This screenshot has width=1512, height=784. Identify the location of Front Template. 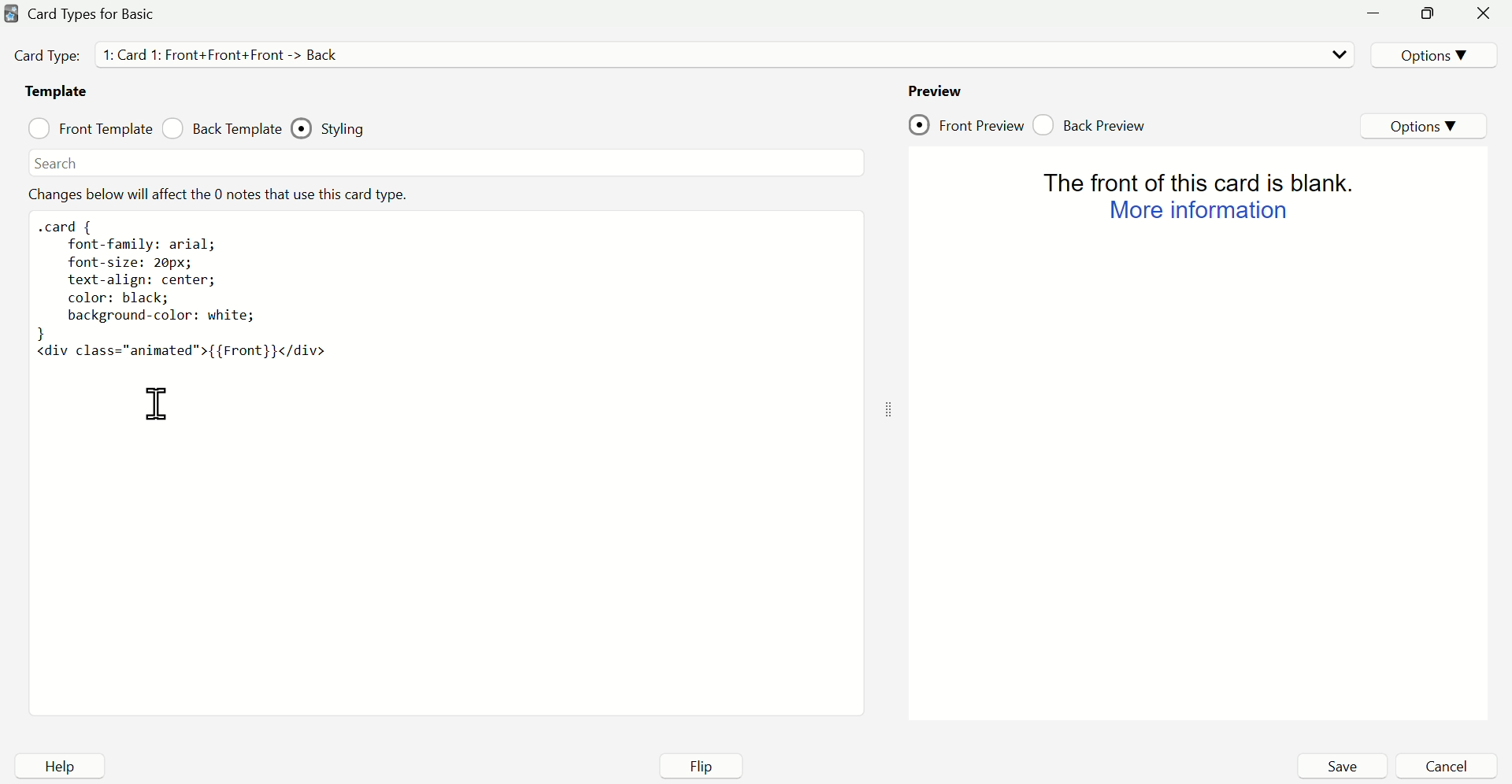
(90, 128).